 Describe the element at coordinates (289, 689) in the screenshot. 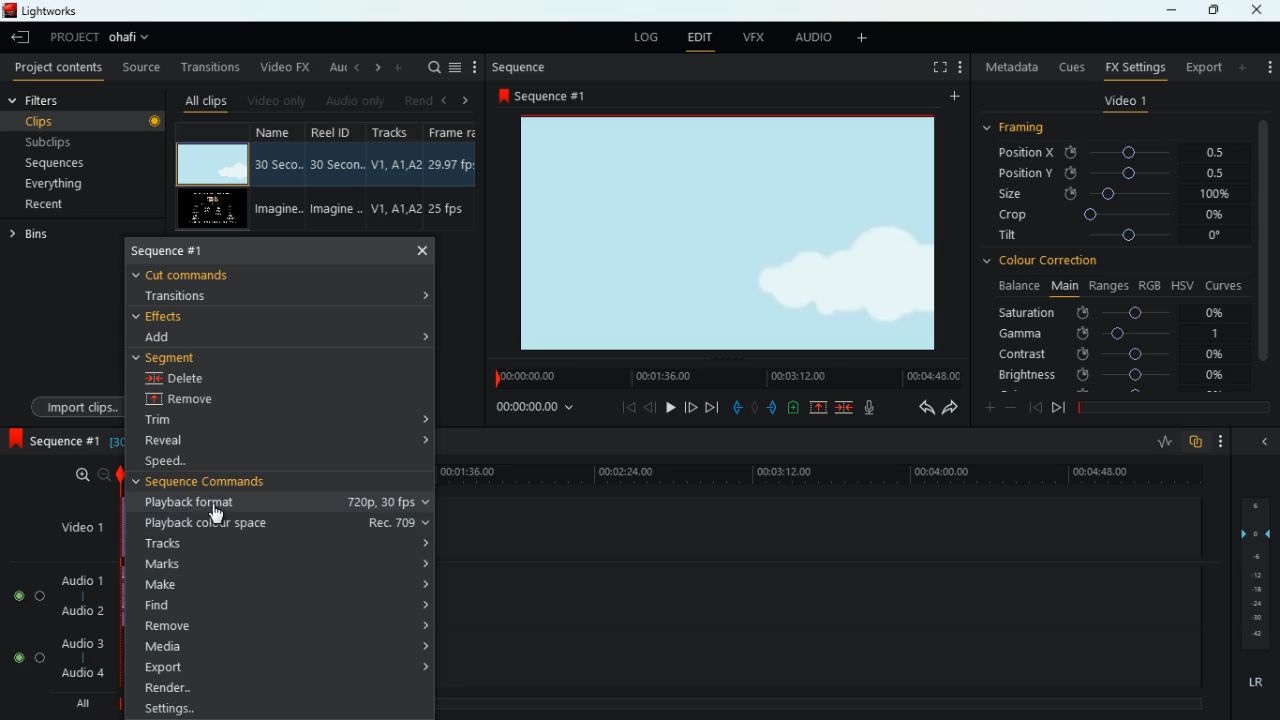

I see `render` at that location.